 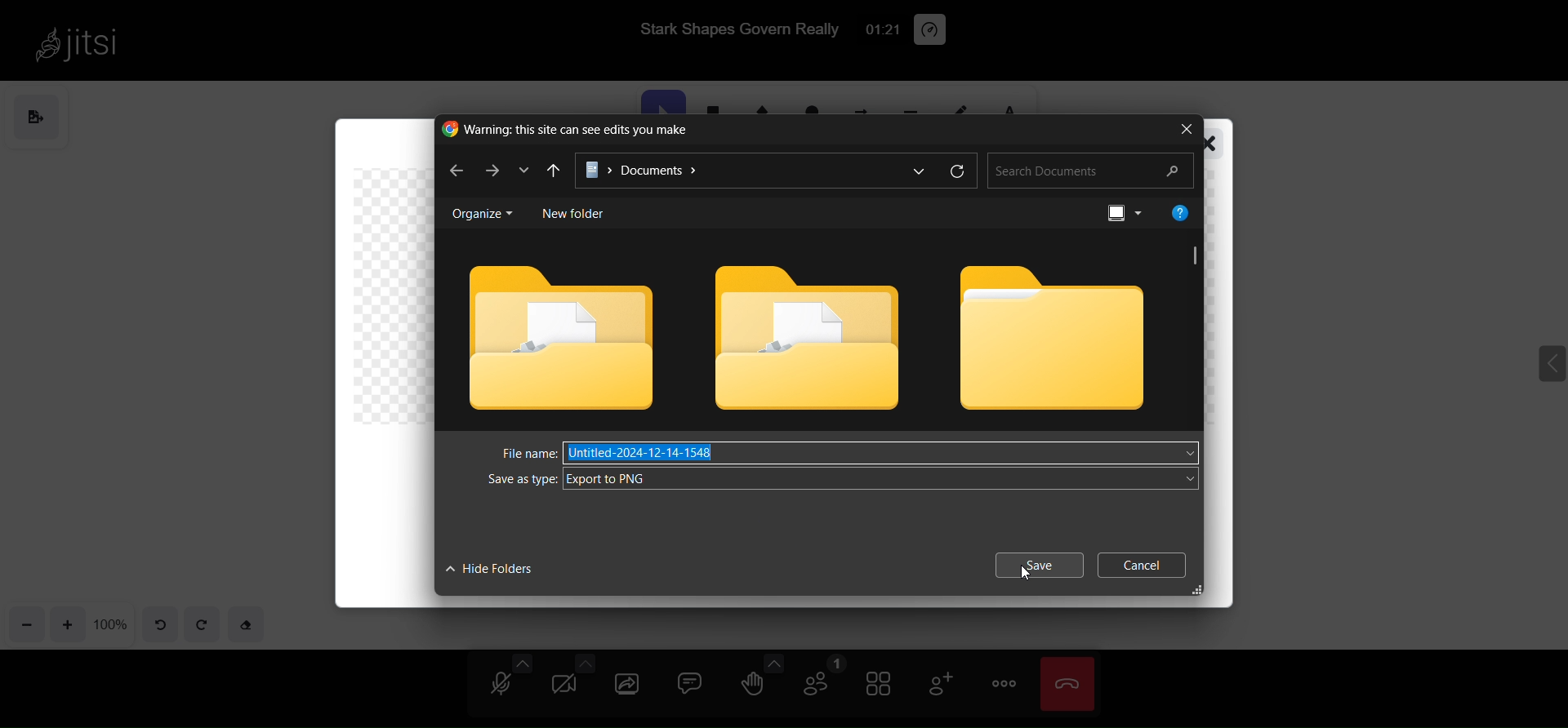 What do you see at coordinates (504, 686) in the screenshot?
I see `microphone` at bounding box center [504, 686].